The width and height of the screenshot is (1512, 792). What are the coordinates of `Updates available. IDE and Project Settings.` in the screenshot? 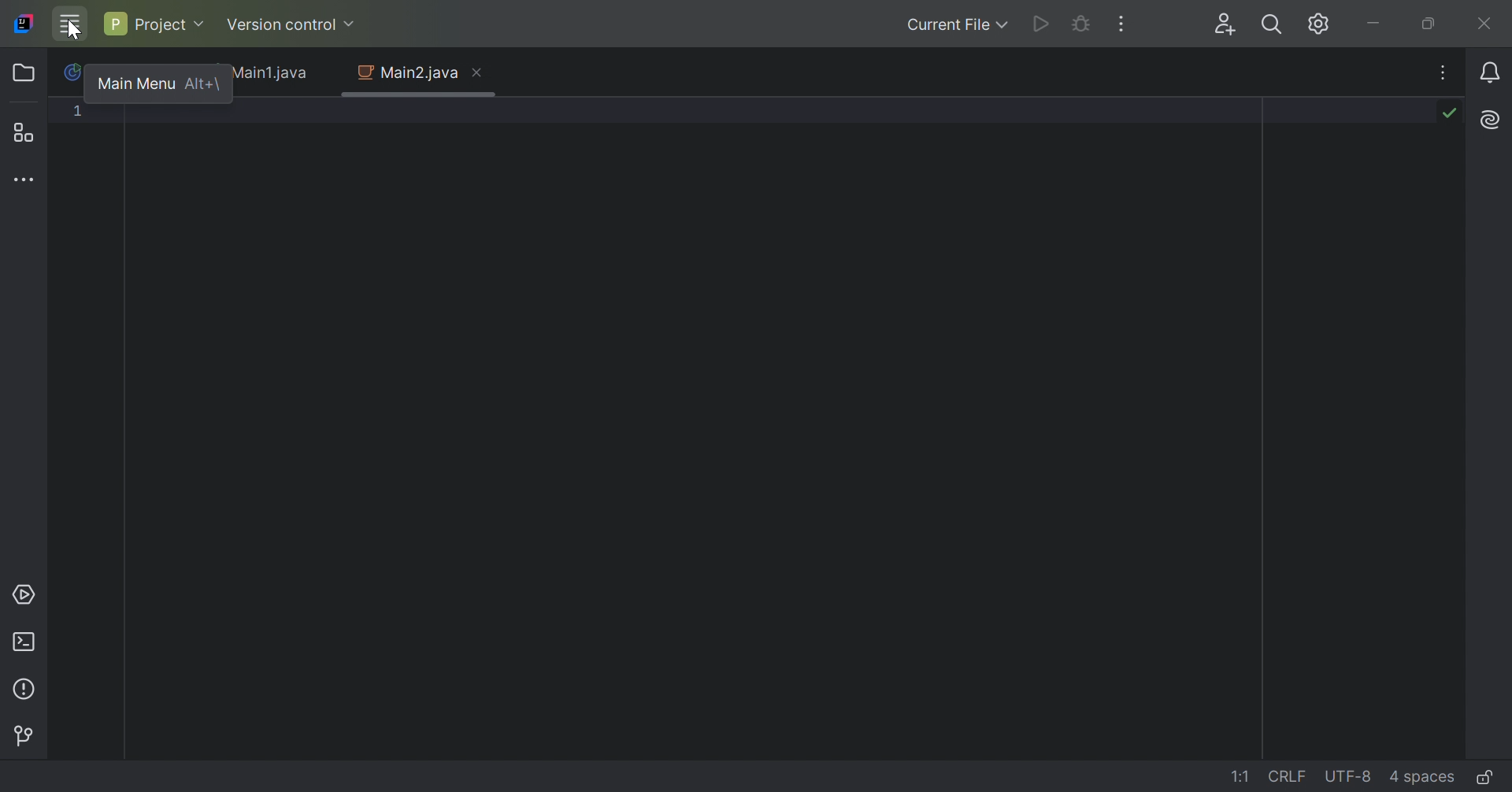 It's located at (1297, 24).